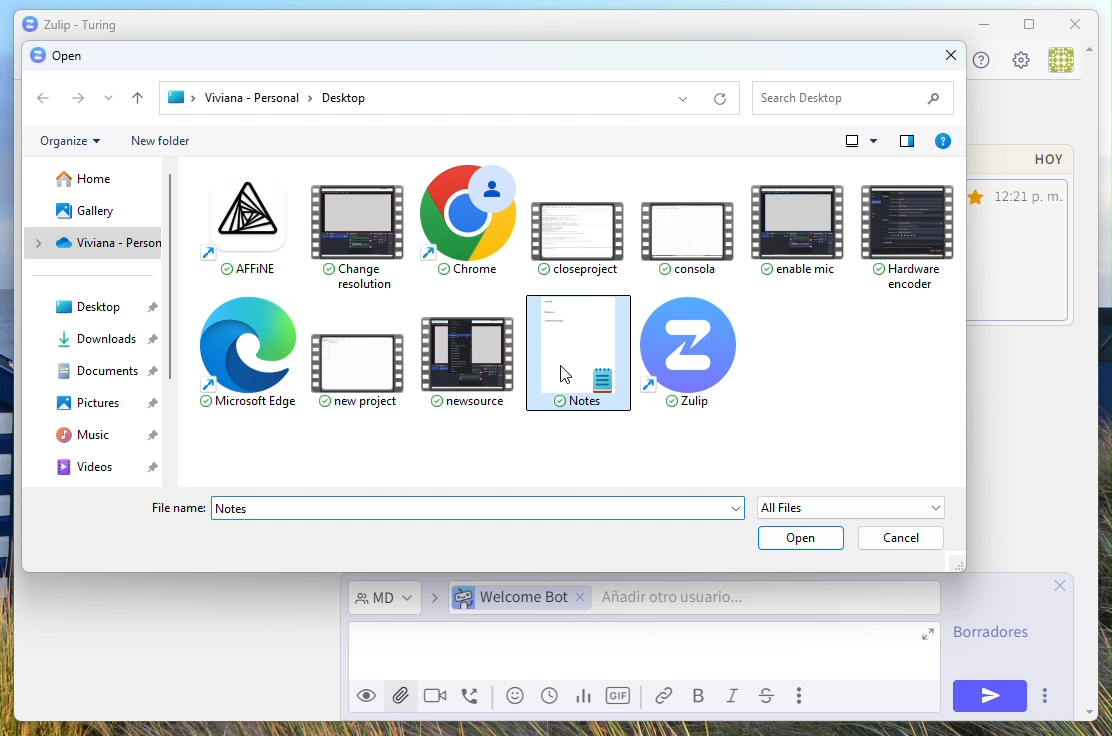 This screenshot has height=736, width=1112. I want to click on Open, so click(55, 55).